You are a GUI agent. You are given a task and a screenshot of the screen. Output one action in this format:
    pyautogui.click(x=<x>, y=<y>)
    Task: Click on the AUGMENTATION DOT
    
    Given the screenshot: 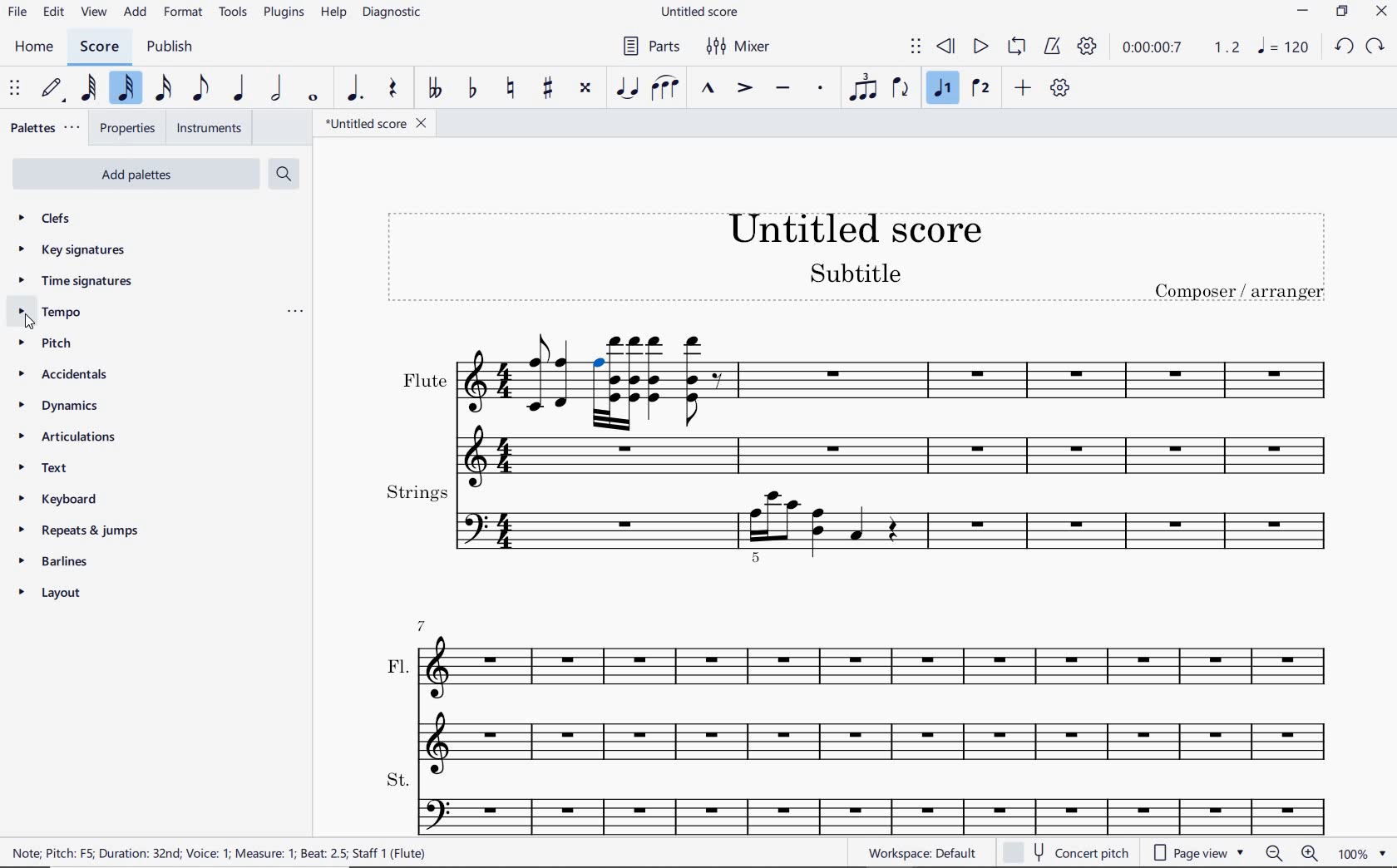 What is the action you would take?
    pyautogui.click(x=355, y=87)
    